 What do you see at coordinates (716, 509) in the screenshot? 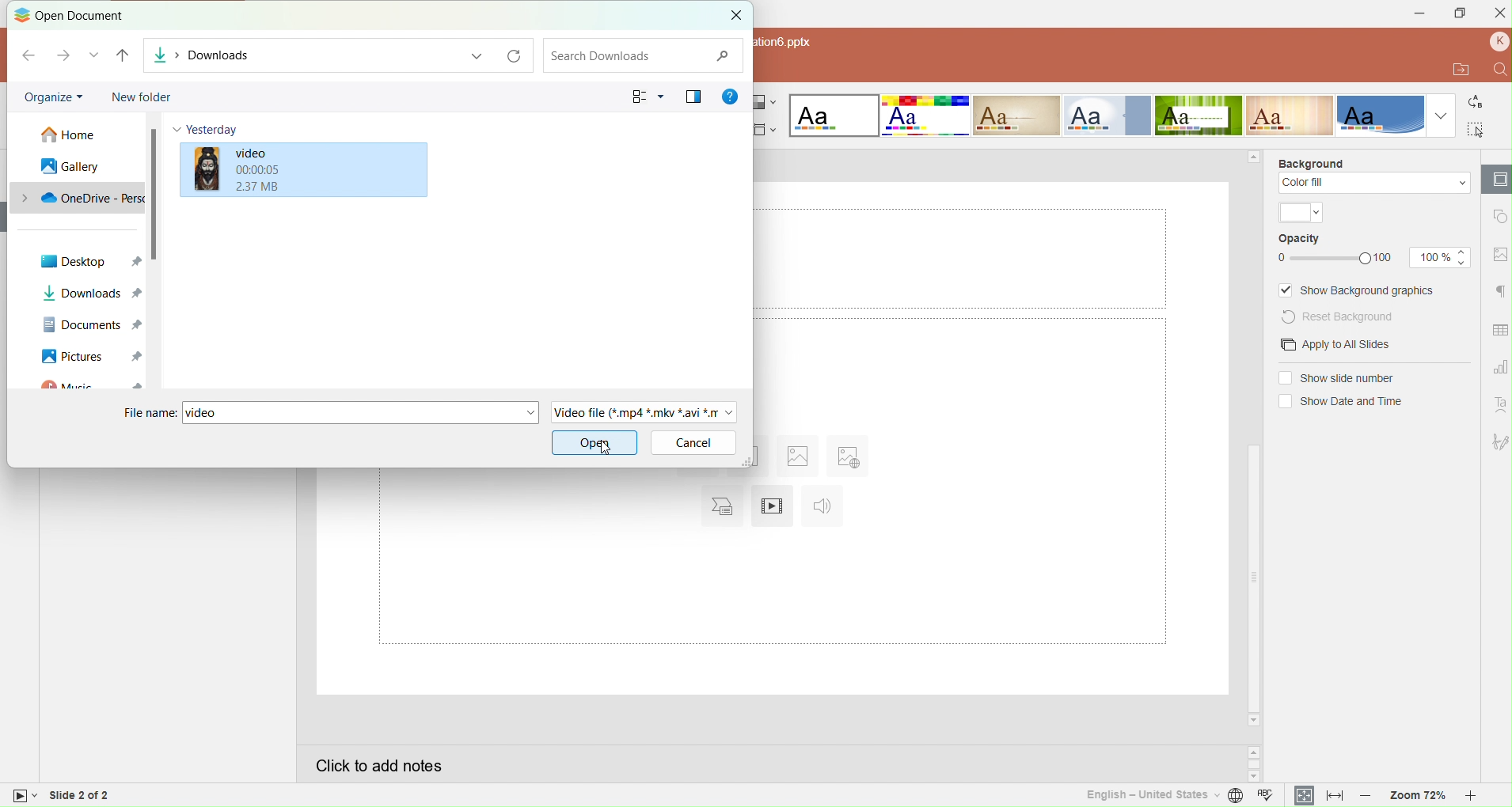
I see `Insert chart` at bounding box center [716, 509].